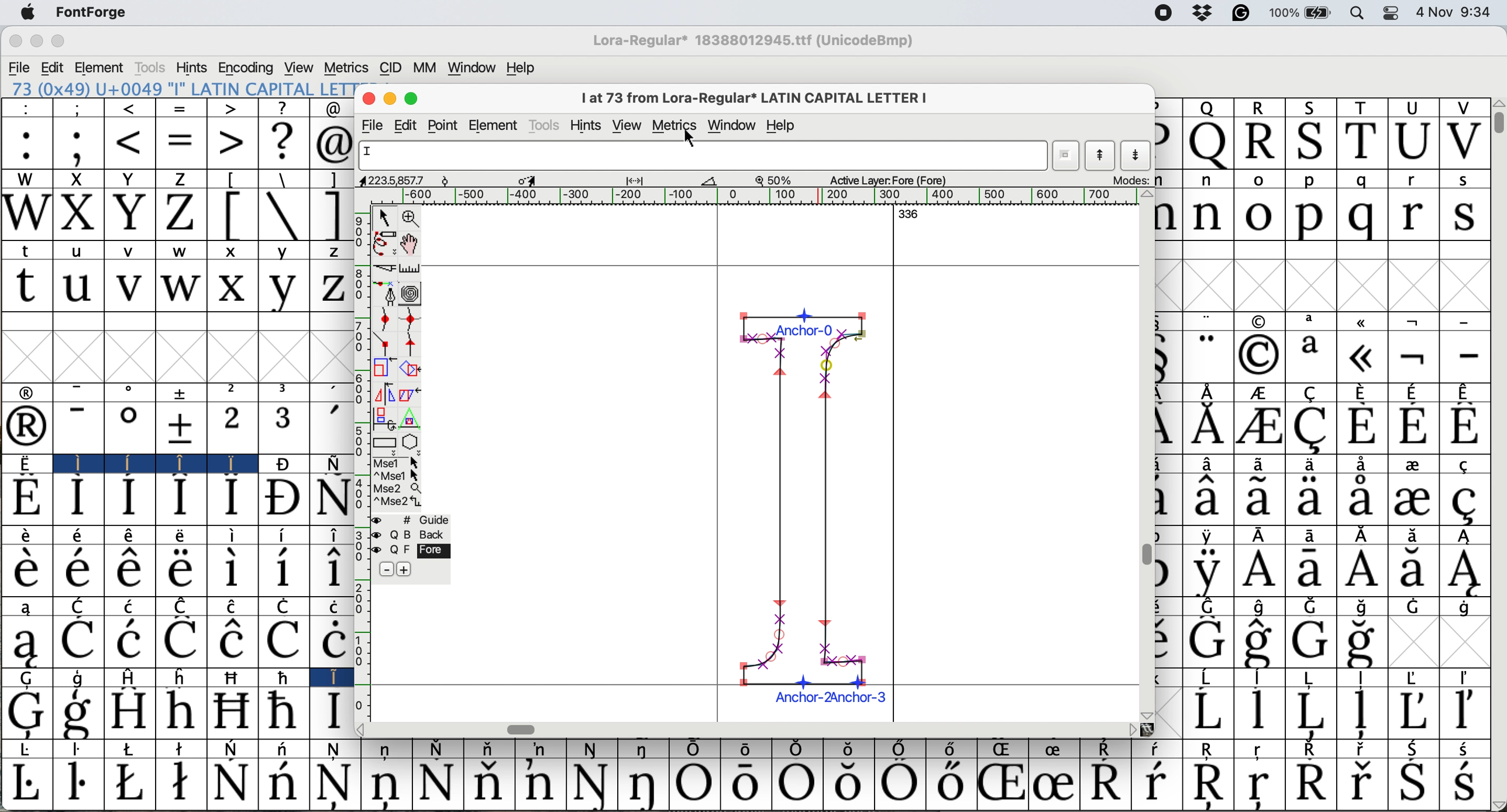 The width and height of the screenshot is (1507, 812). I want to click on cid, so click(389, 67).